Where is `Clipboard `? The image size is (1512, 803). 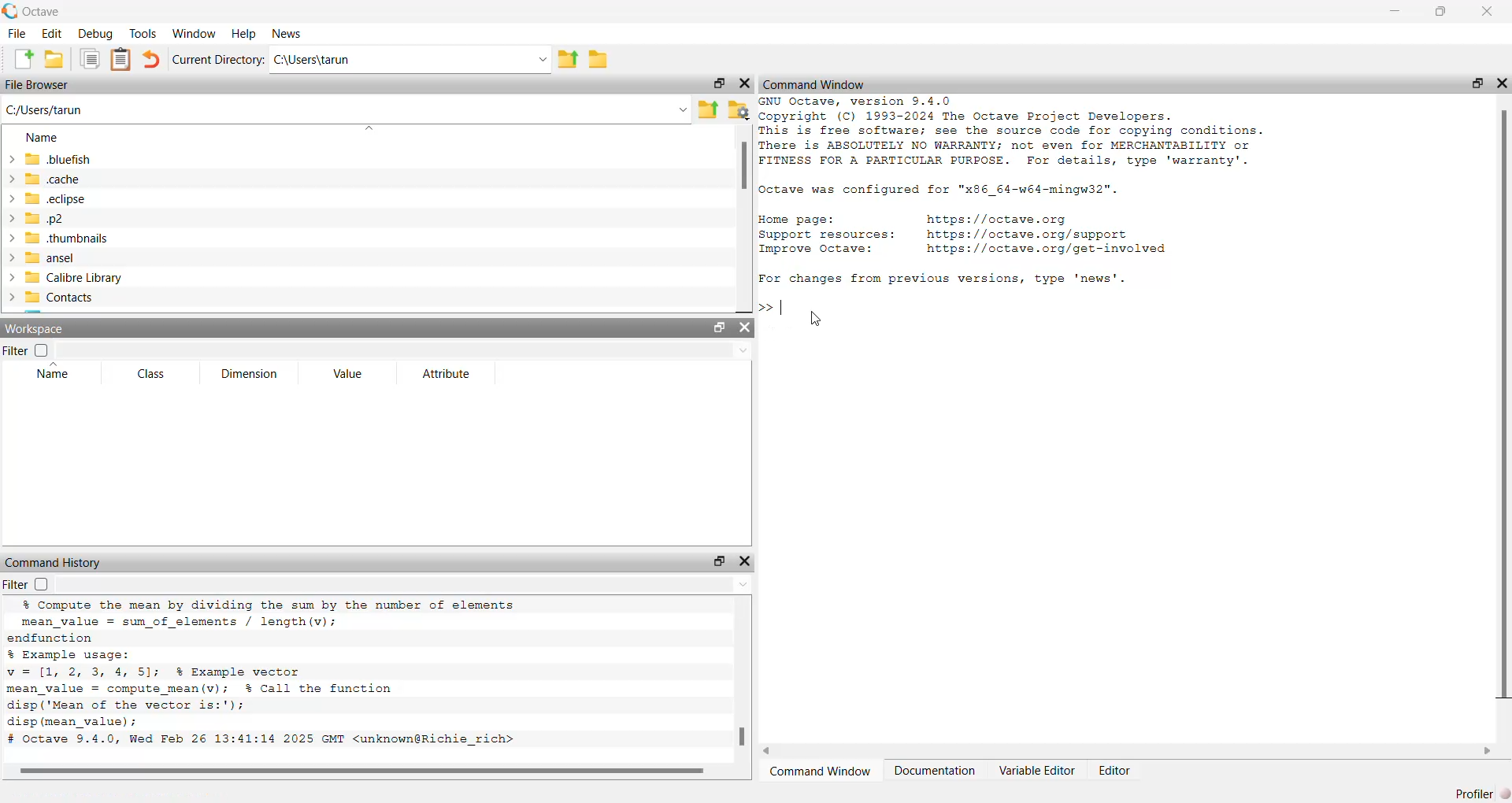 Clipboard  is located at coordinates (121, 60).